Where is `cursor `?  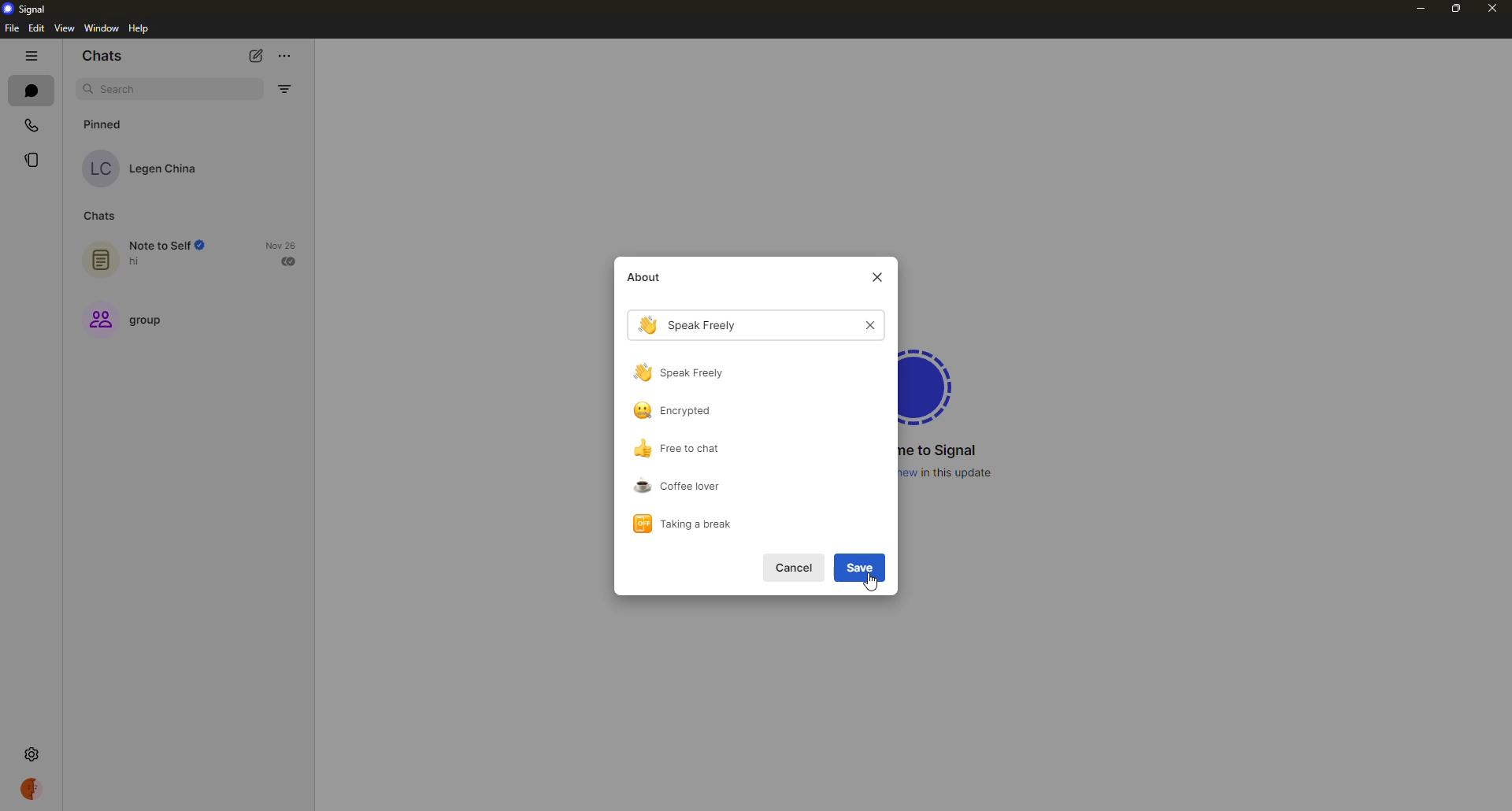
cursor  is located at coordinates (869, 583).